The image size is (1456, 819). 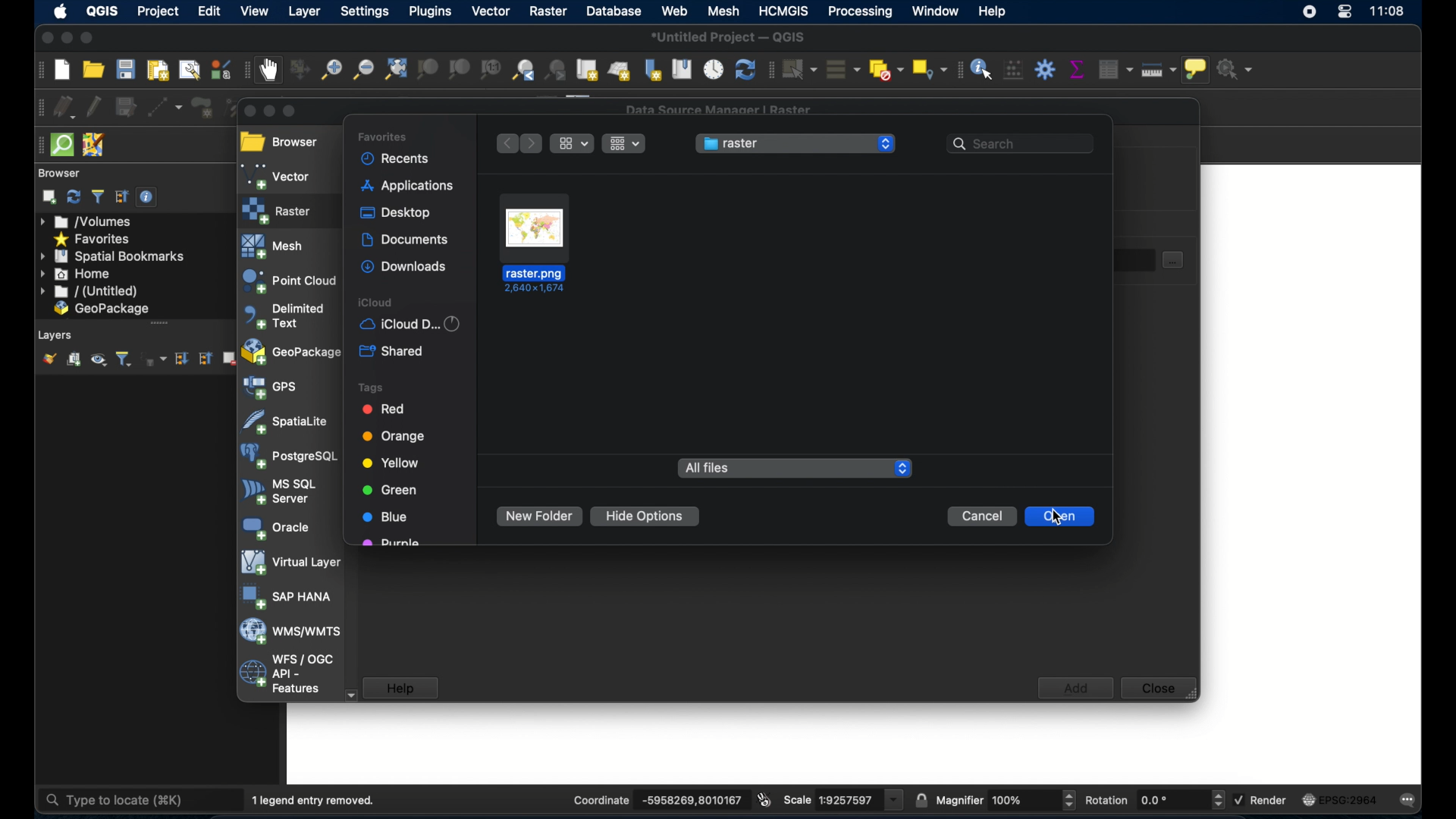 I want to click on spatiallite, so click(x=284, y=422).